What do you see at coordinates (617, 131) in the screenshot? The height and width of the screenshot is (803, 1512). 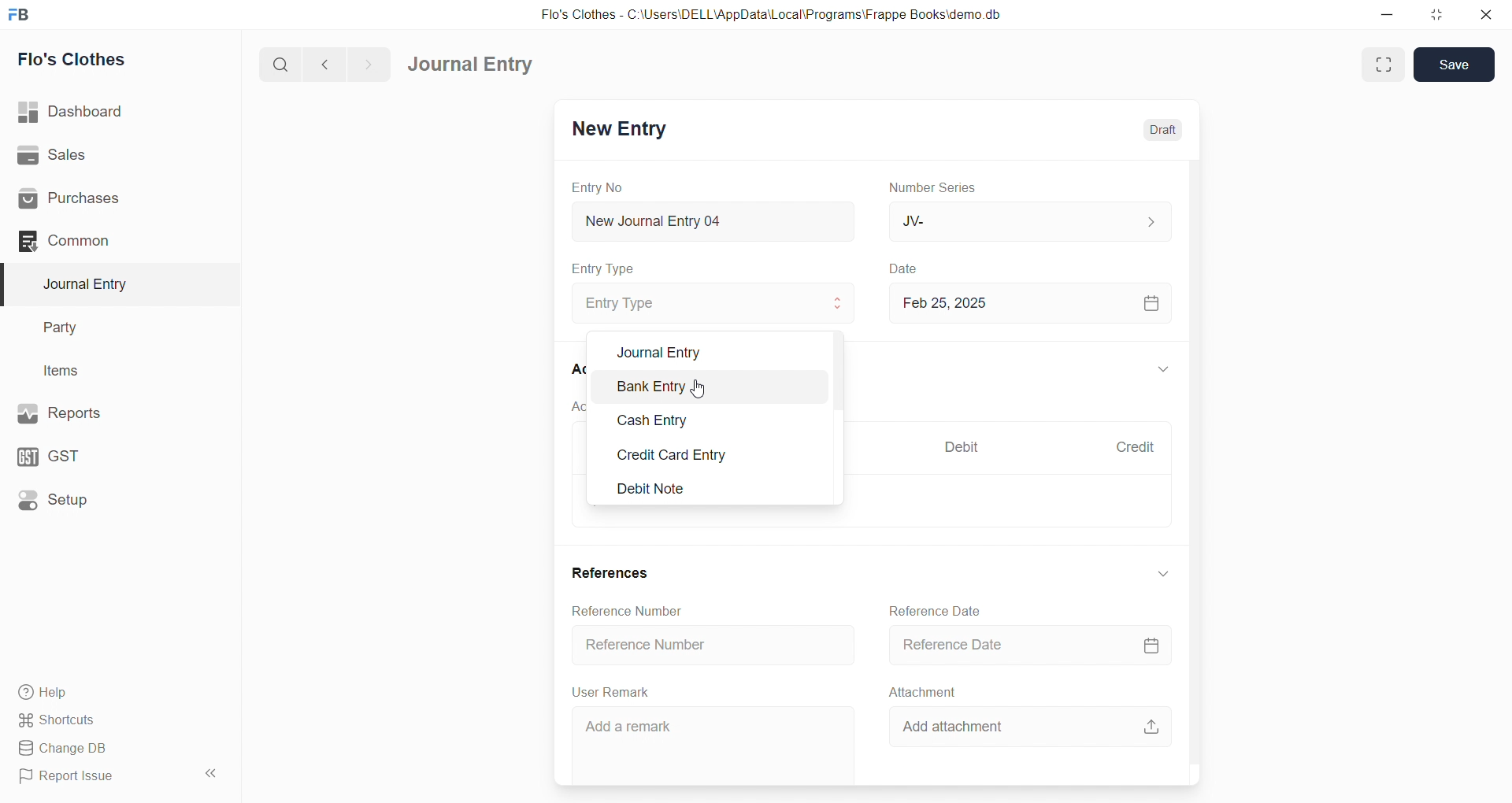 I see `New Entry` at bounding box center [617, 131].